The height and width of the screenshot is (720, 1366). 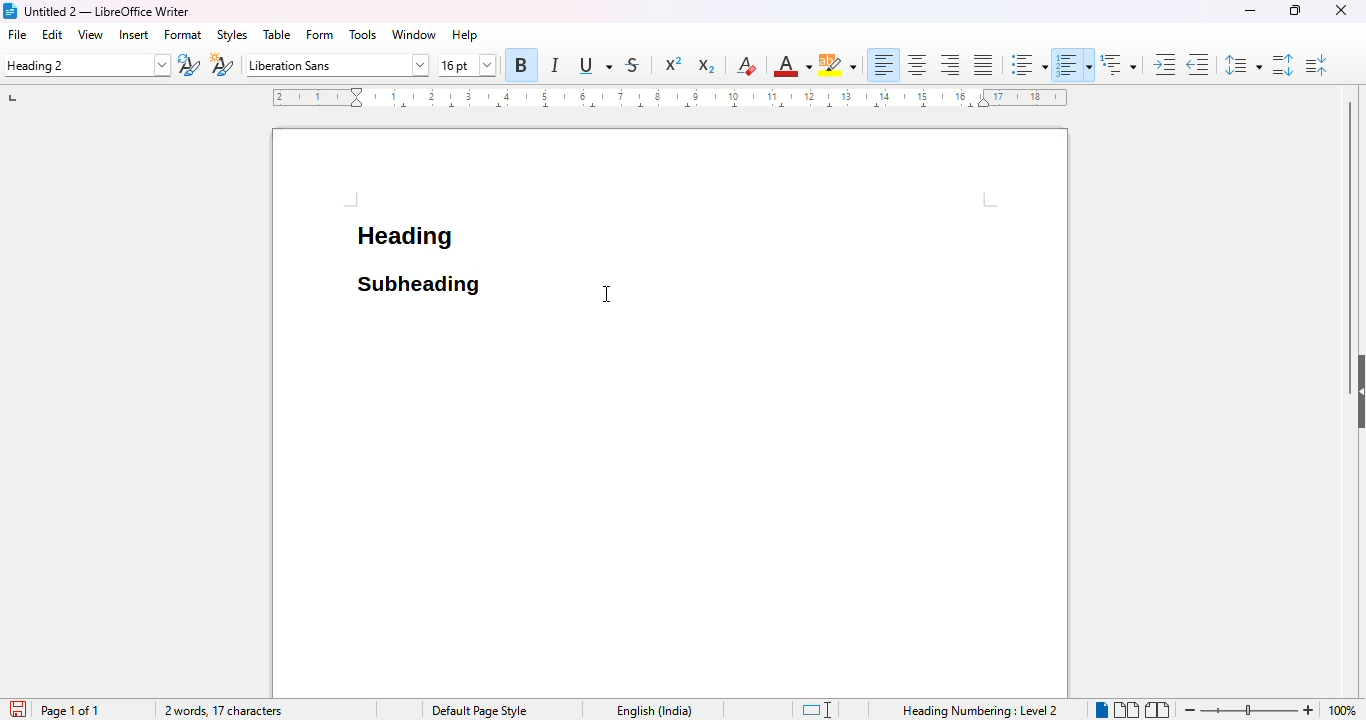 What do you see at coordinates (53, 34) in the screenshot?
I see `edit` at bounding box center [53, 34].